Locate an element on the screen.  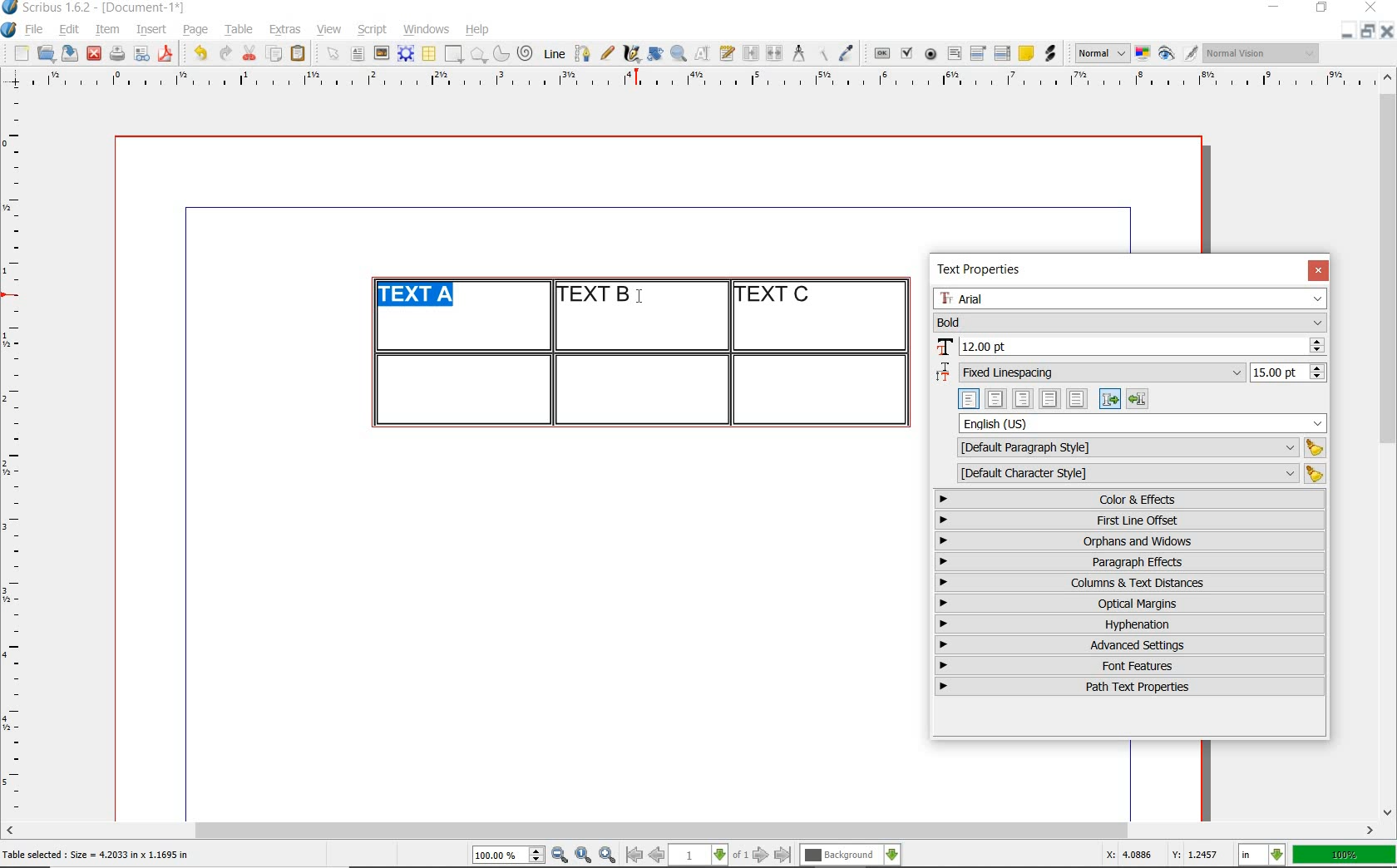
page is located at coordinates (195, 29).